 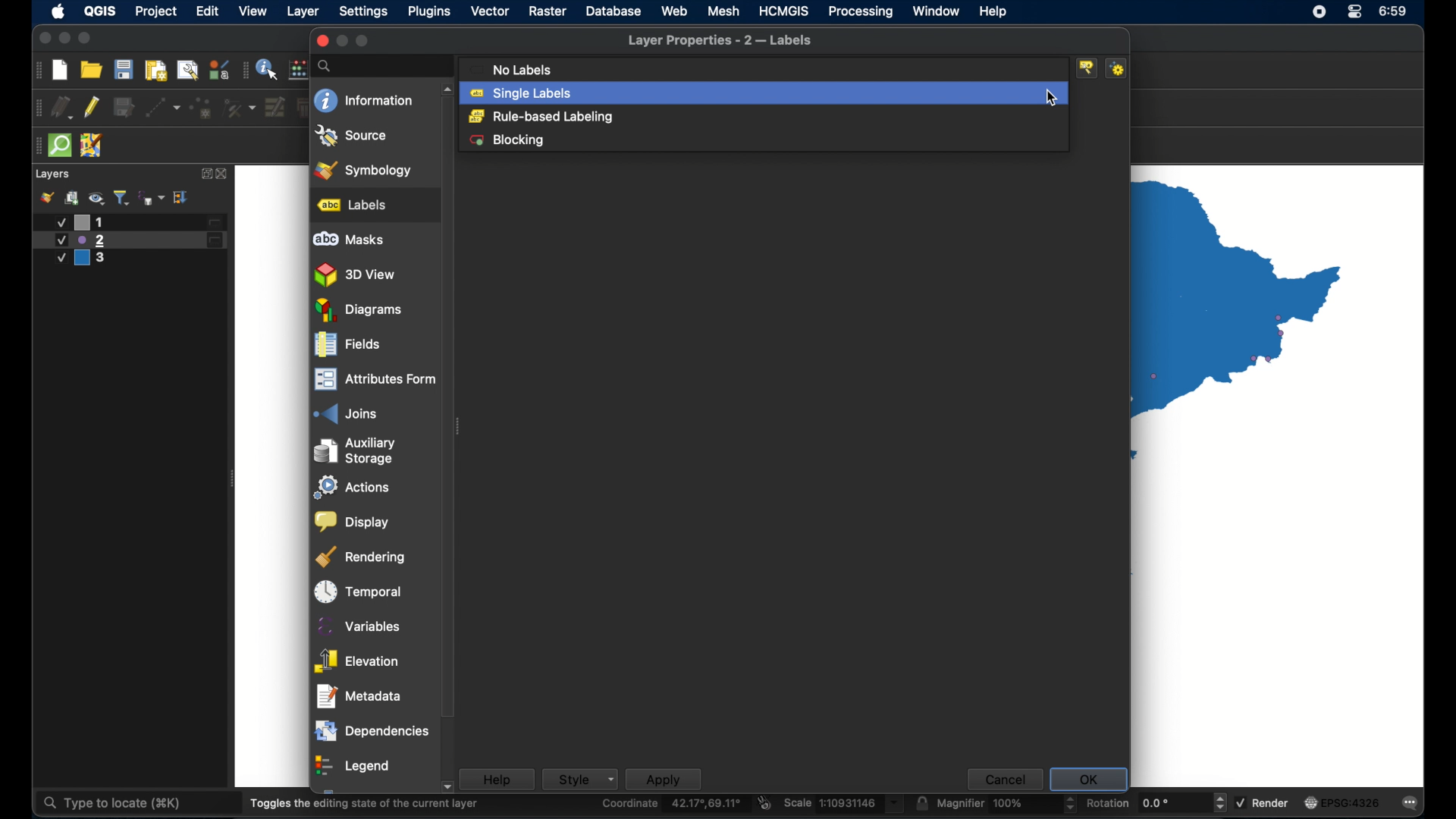 I want to click on scroll down arrow, so click(x=446, y=788).